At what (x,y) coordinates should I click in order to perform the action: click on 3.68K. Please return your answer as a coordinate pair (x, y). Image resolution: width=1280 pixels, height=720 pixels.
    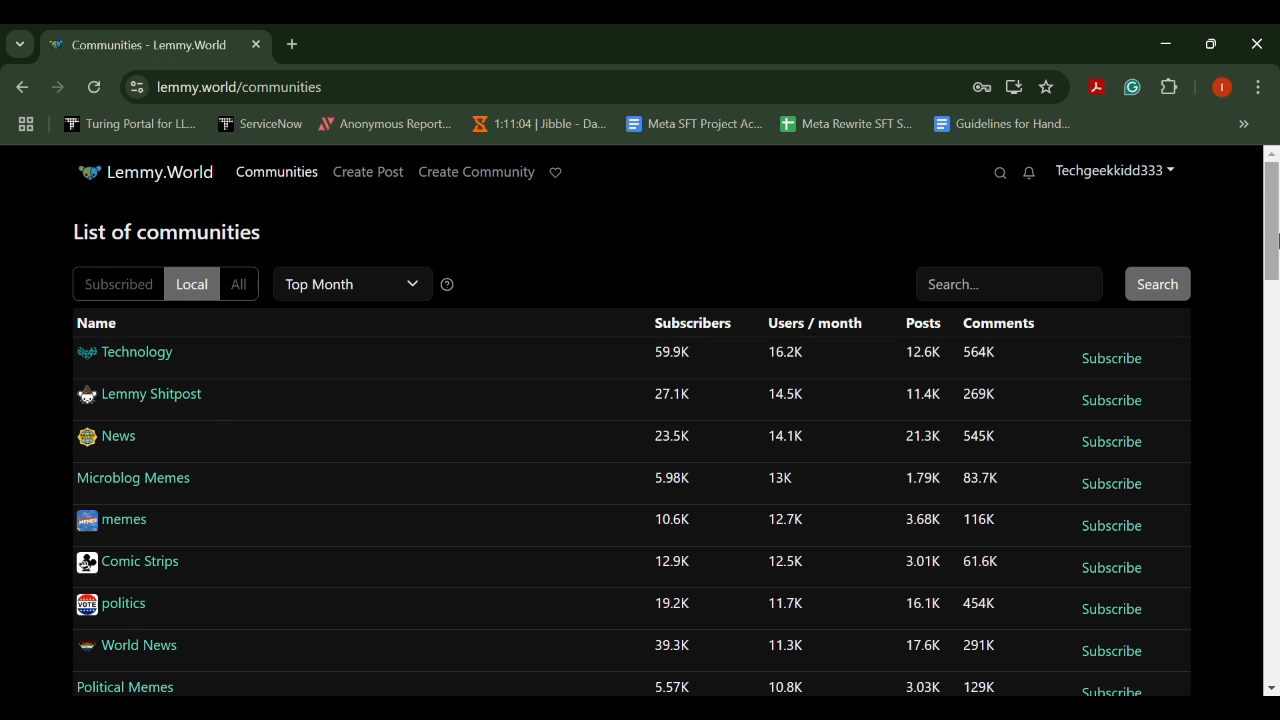
    Looking at the image, I should click on (921, 520).